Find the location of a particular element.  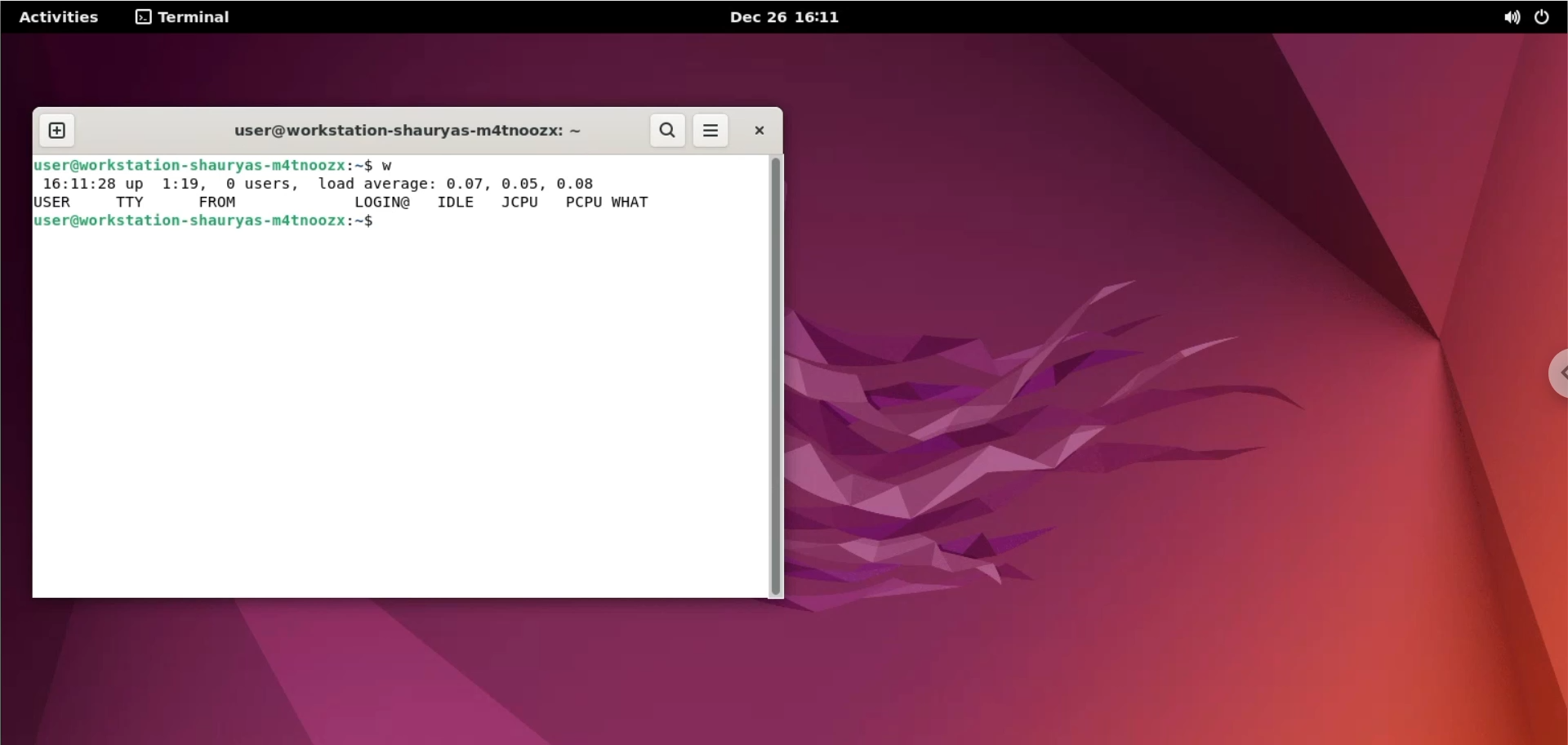

command input is located at coordinates (574, 221).